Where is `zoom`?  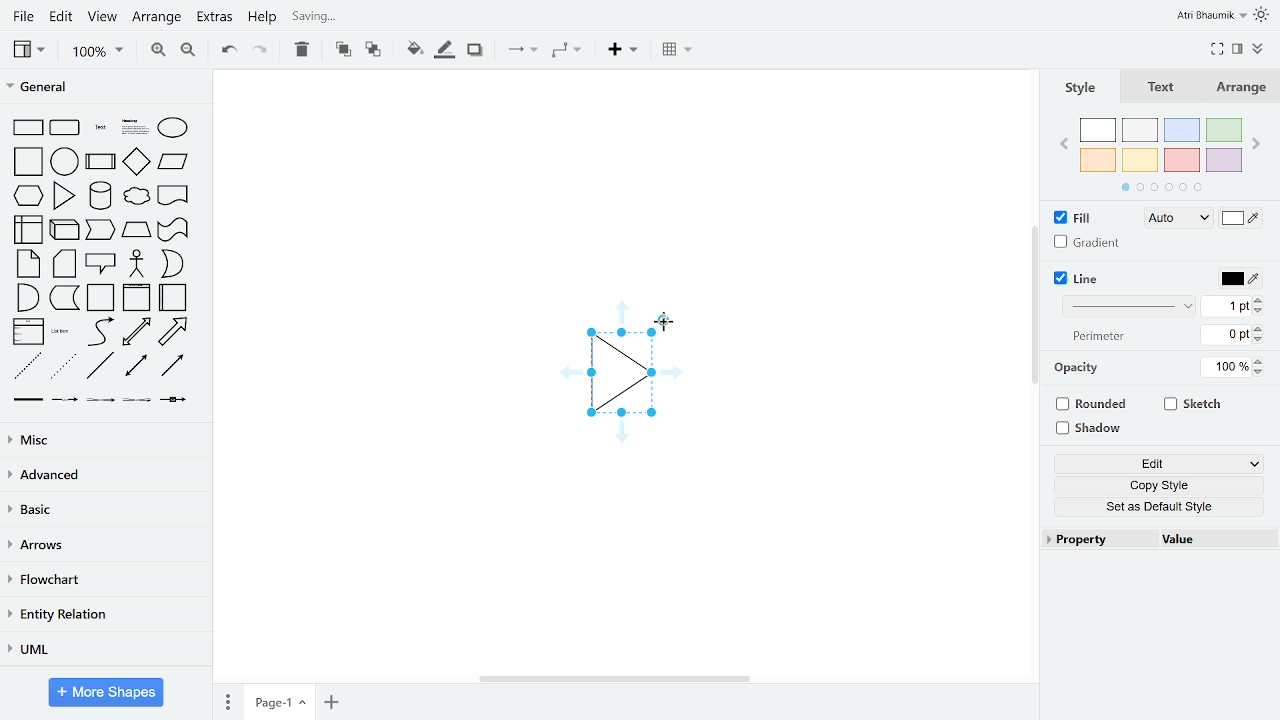
zoom is located at coordinates (97, 52).